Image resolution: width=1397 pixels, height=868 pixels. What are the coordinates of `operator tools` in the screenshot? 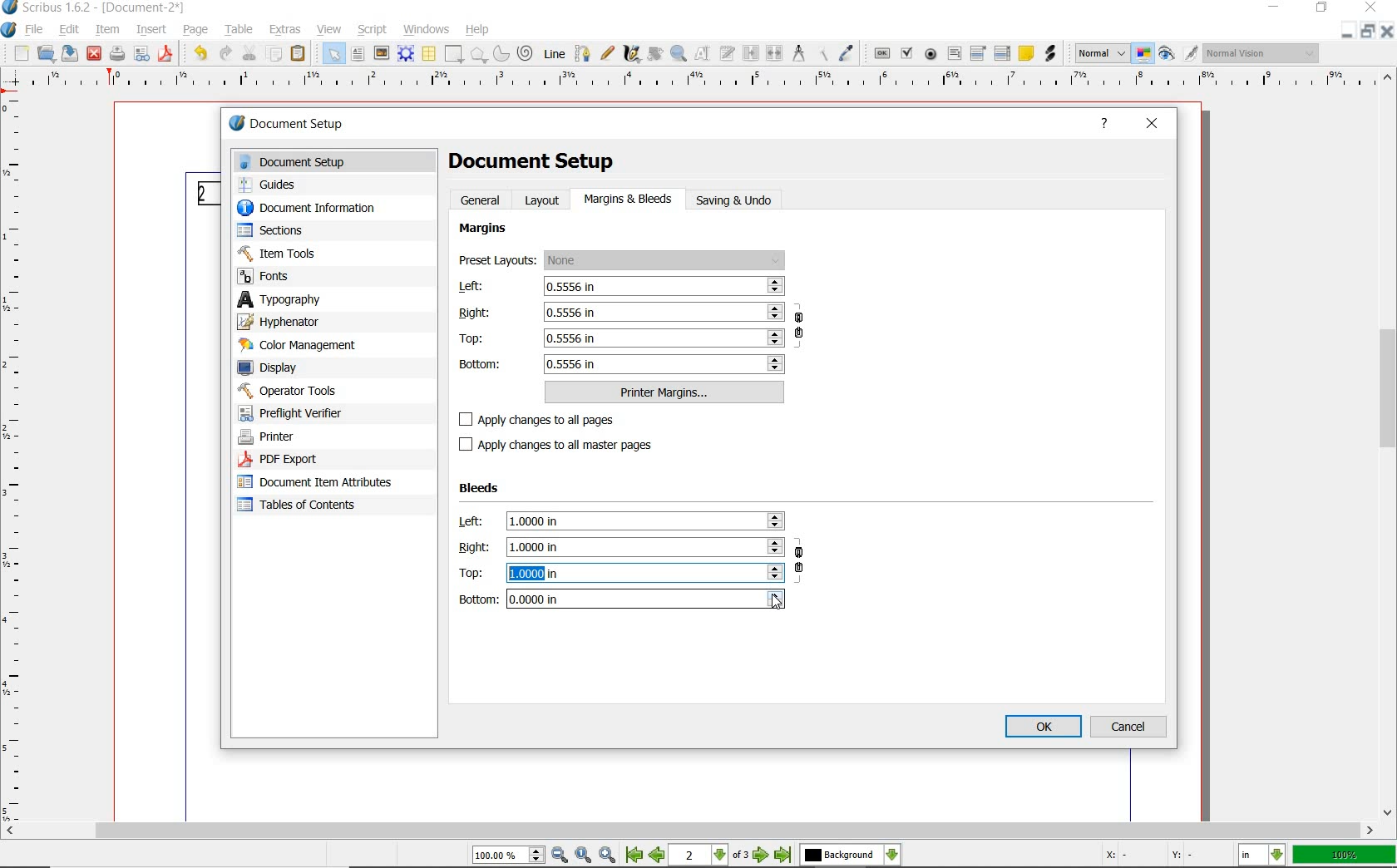 It's located at (324, 391).